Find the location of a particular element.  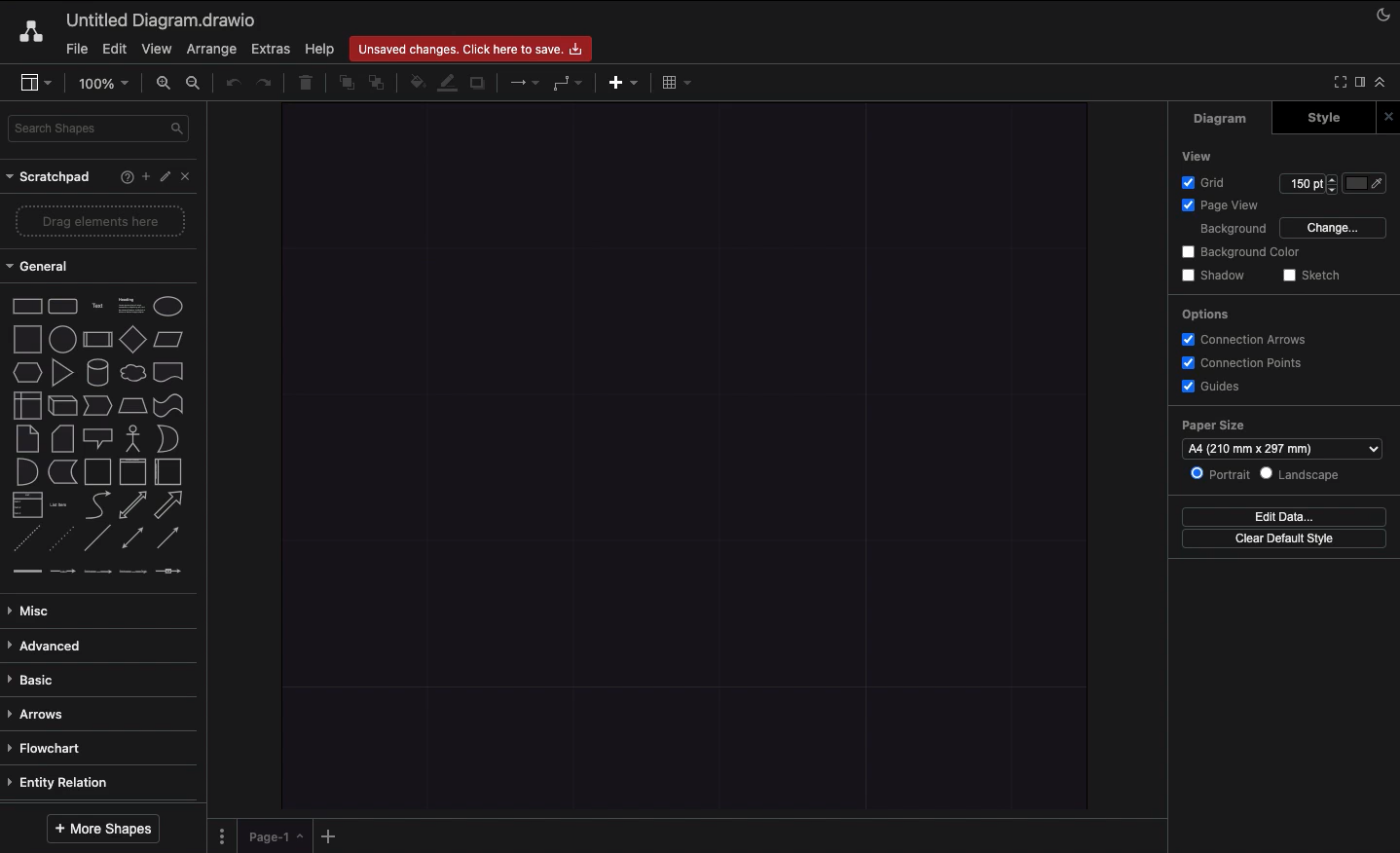

Shadow is located at coordinates (479, 87).